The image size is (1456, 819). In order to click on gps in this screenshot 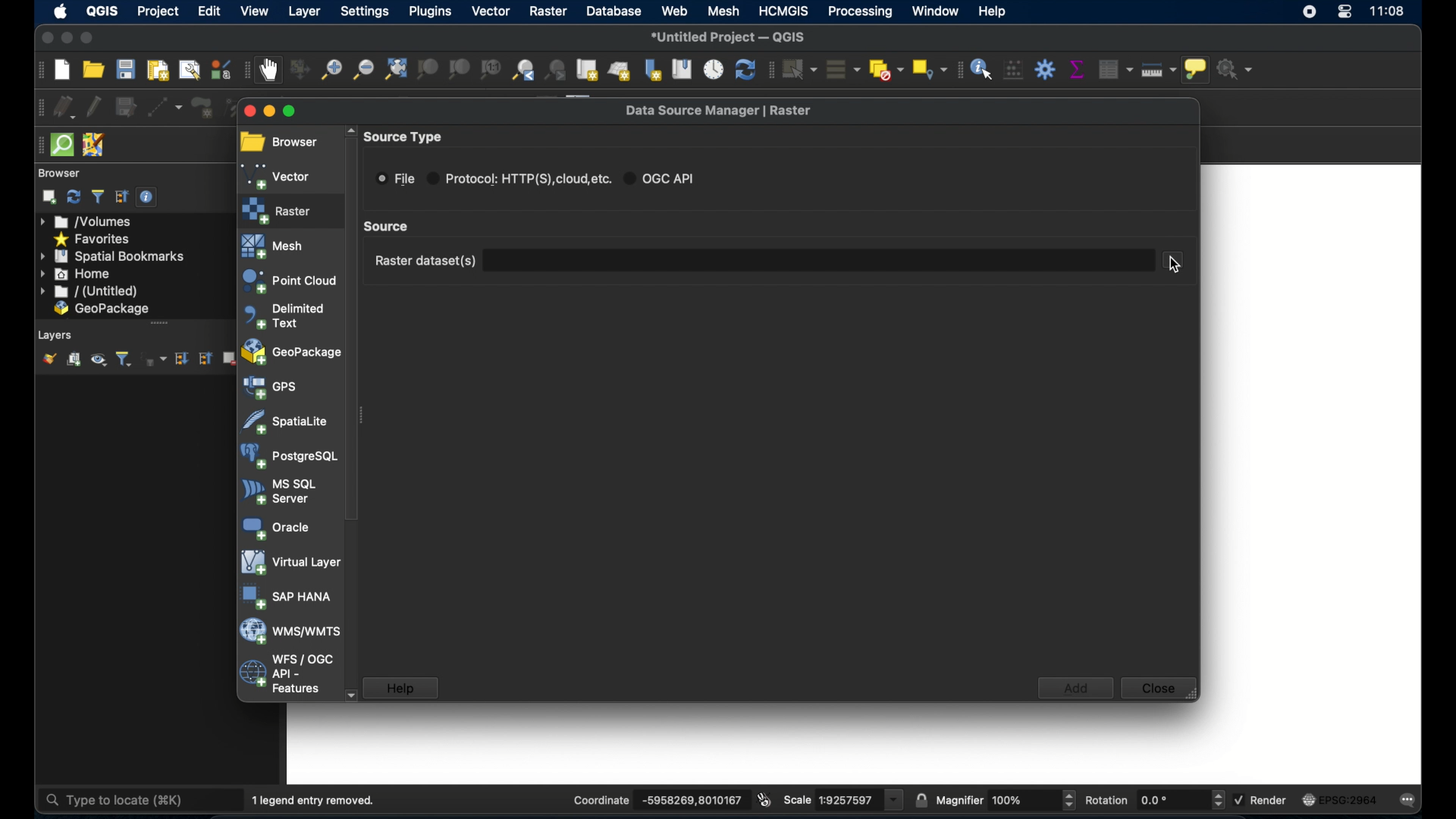, I will do `click(271, 389)`.